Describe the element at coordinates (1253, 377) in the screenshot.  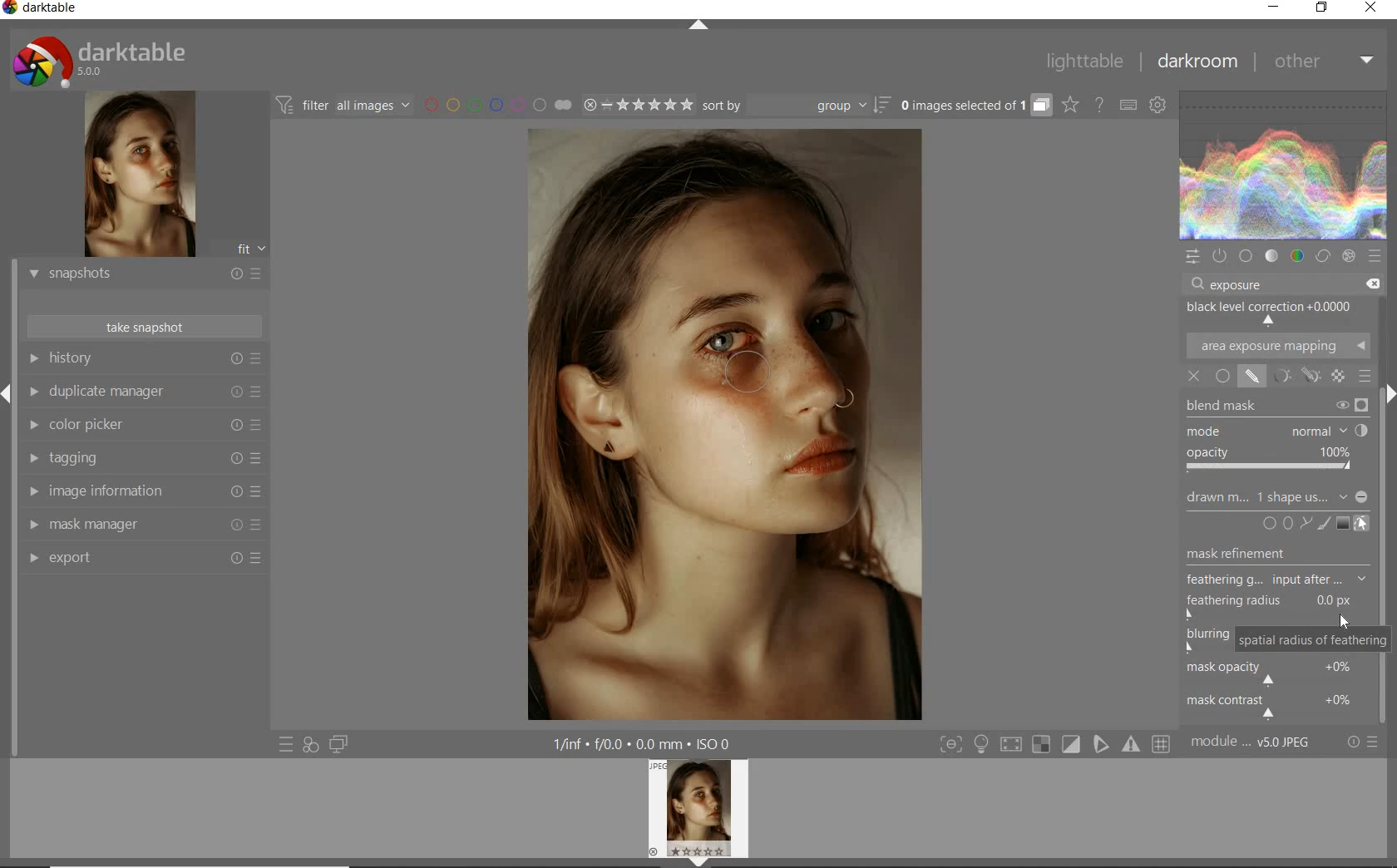
I see `drawn musk` at that location.